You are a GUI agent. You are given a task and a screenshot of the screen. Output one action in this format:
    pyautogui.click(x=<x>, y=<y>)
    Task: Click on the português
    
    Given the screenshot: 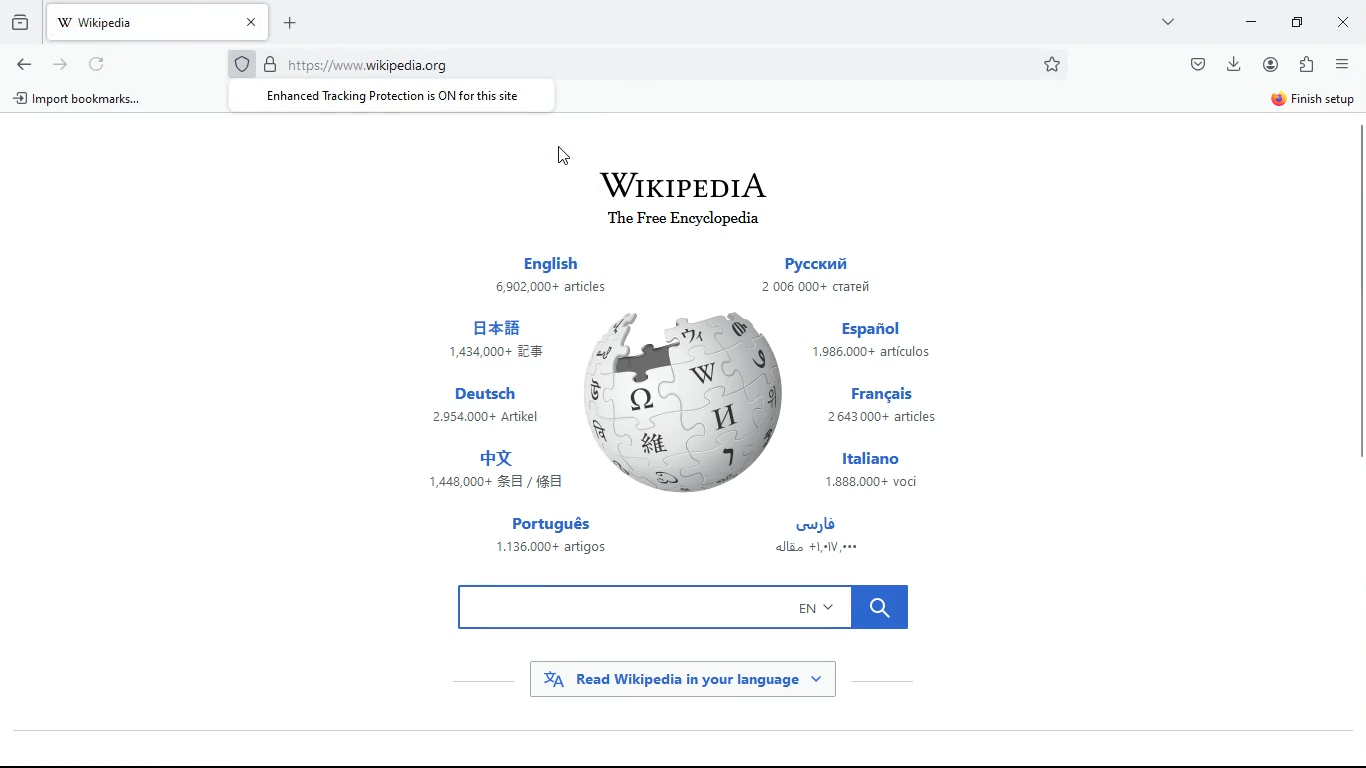 What is the action you would take?
    pyautogui.click(x=552, y=534)
    